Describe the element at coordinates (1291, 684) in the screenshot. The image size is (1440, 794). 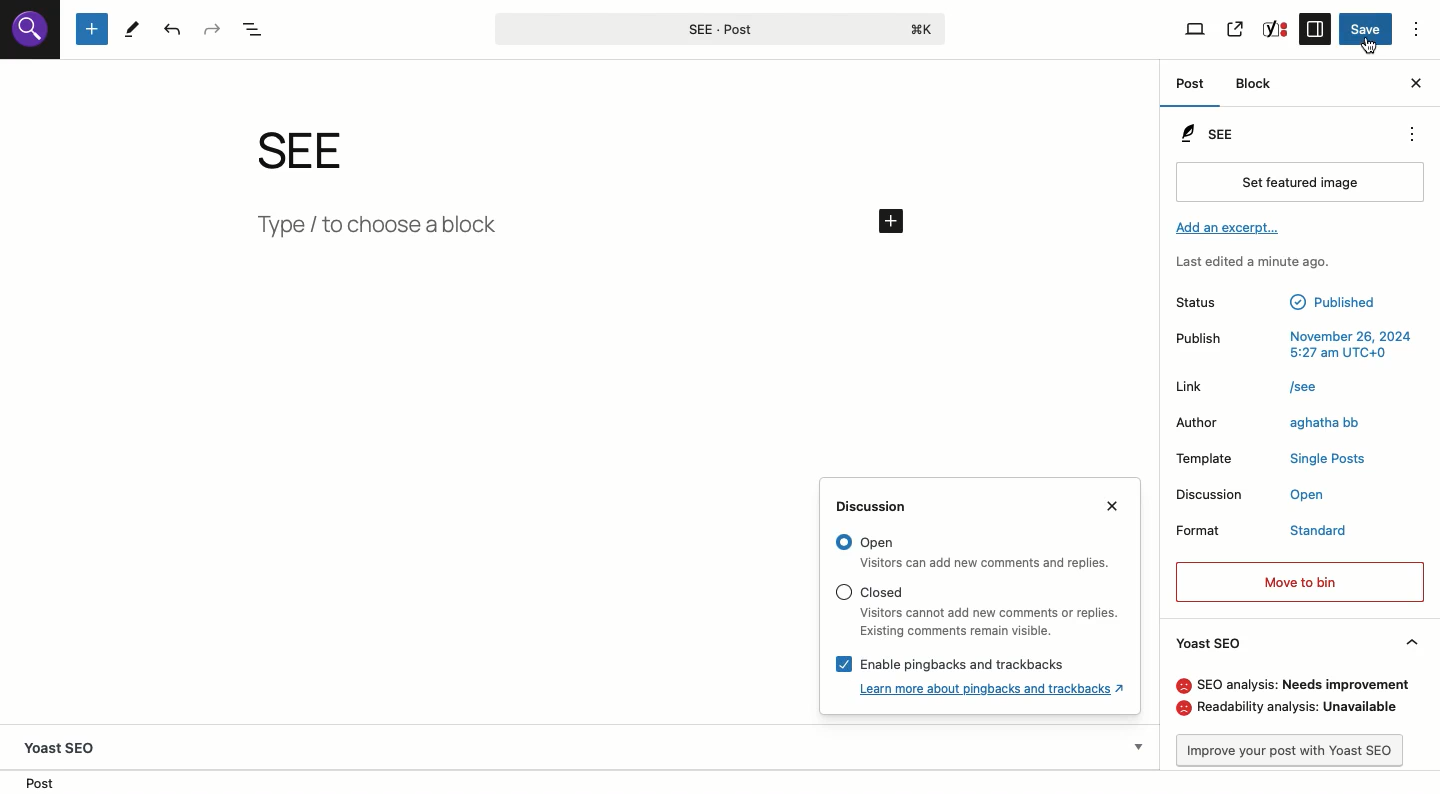
I see `SEO analysis: needs improvement` at that location.